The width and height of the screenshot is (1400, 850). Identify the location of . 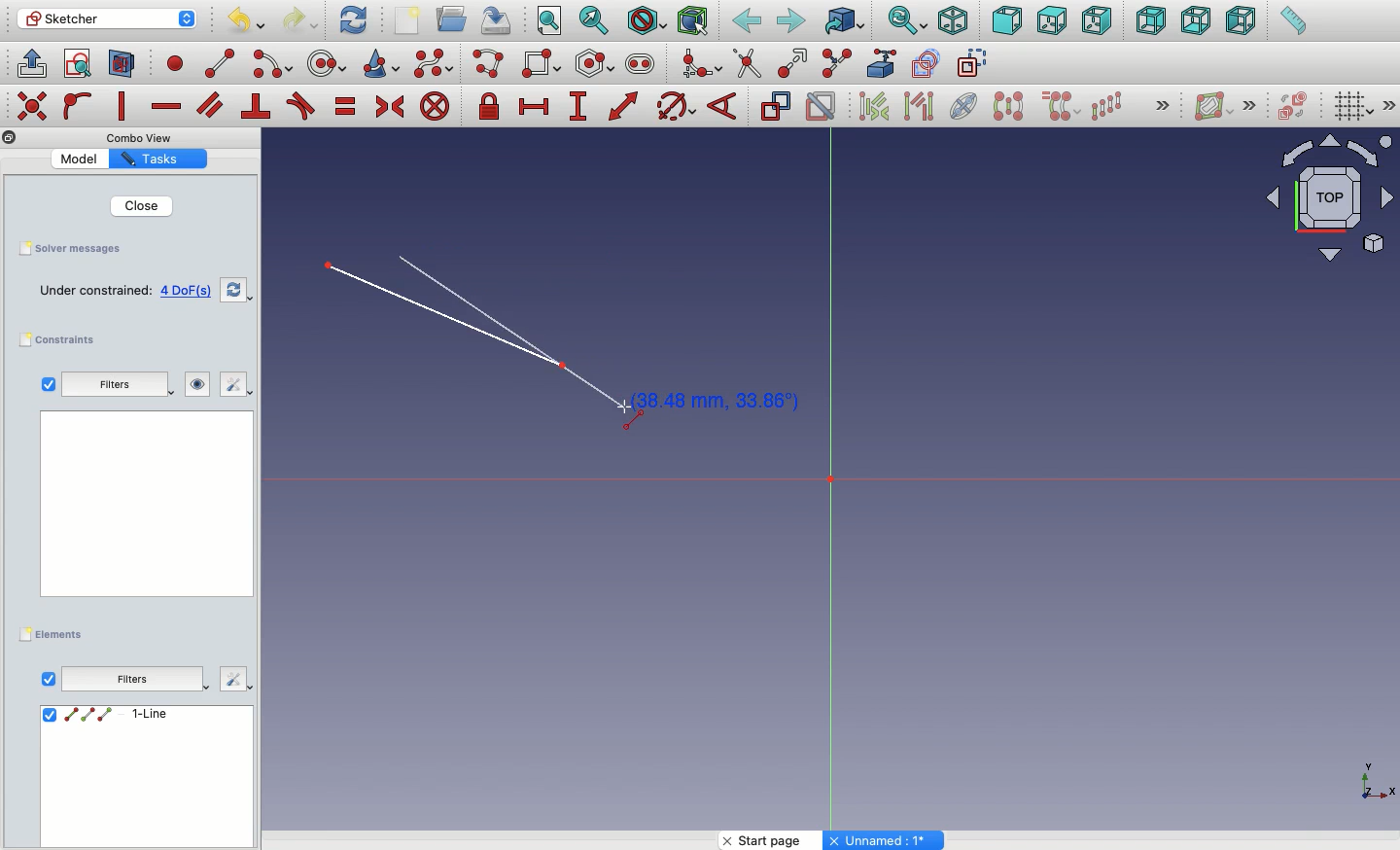
(142, 512).